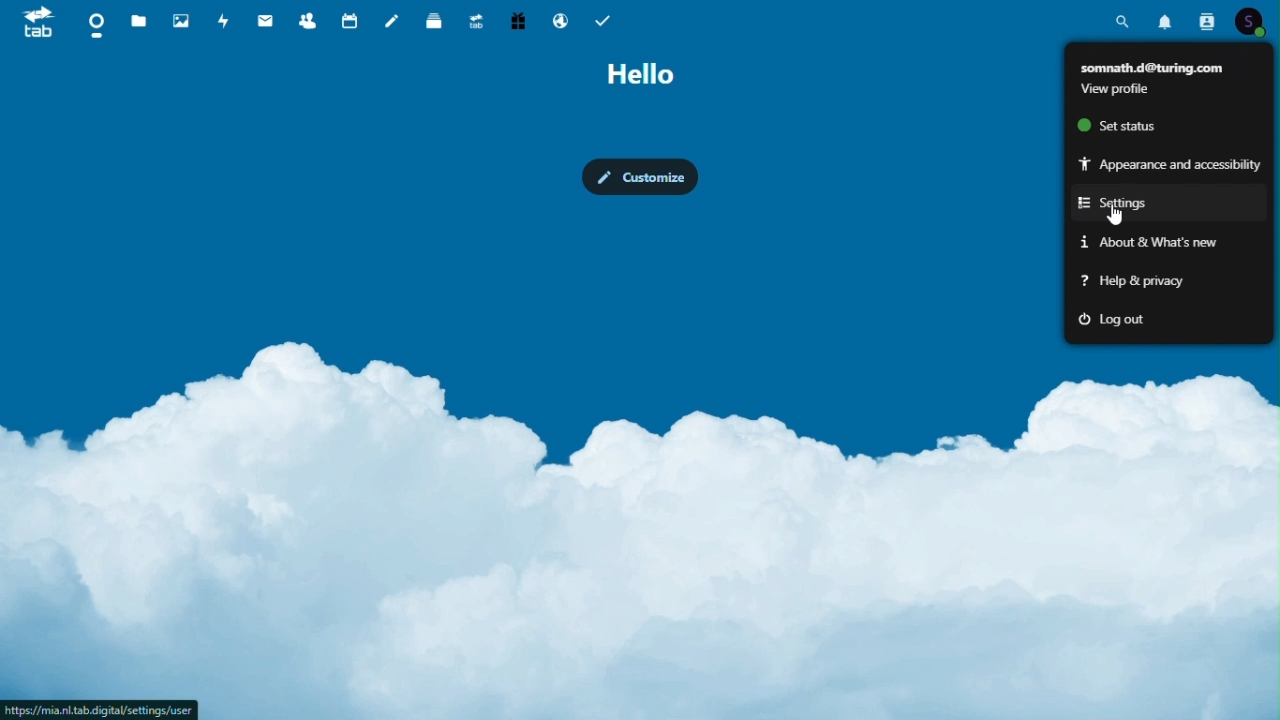 This screenshot has width=1280, height=720. I want to click on Settings, so click(1142, 203).